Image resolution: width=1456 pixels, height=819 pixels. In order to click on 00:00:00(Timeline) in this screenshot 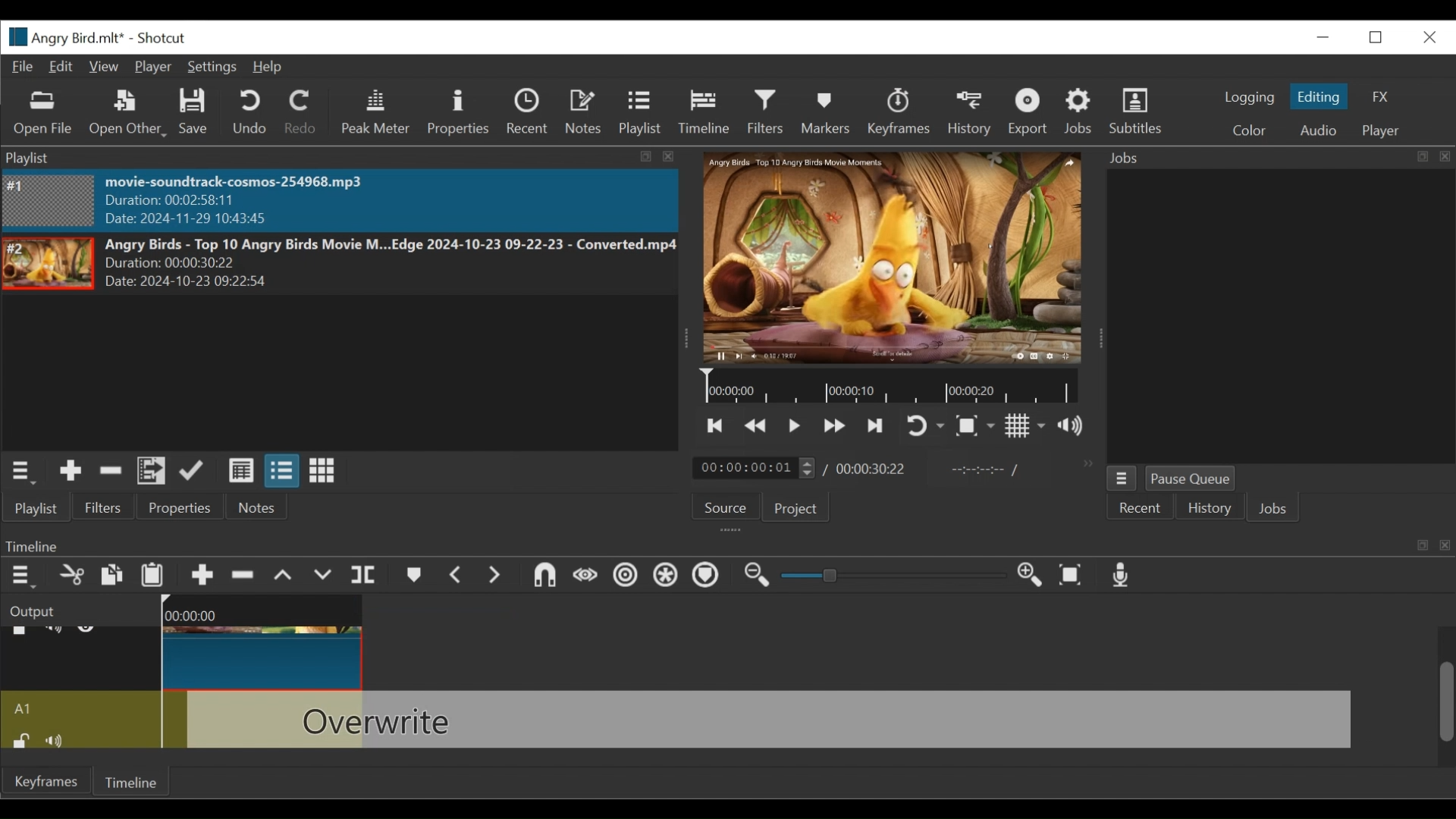, I will do `click(267, 610)`.